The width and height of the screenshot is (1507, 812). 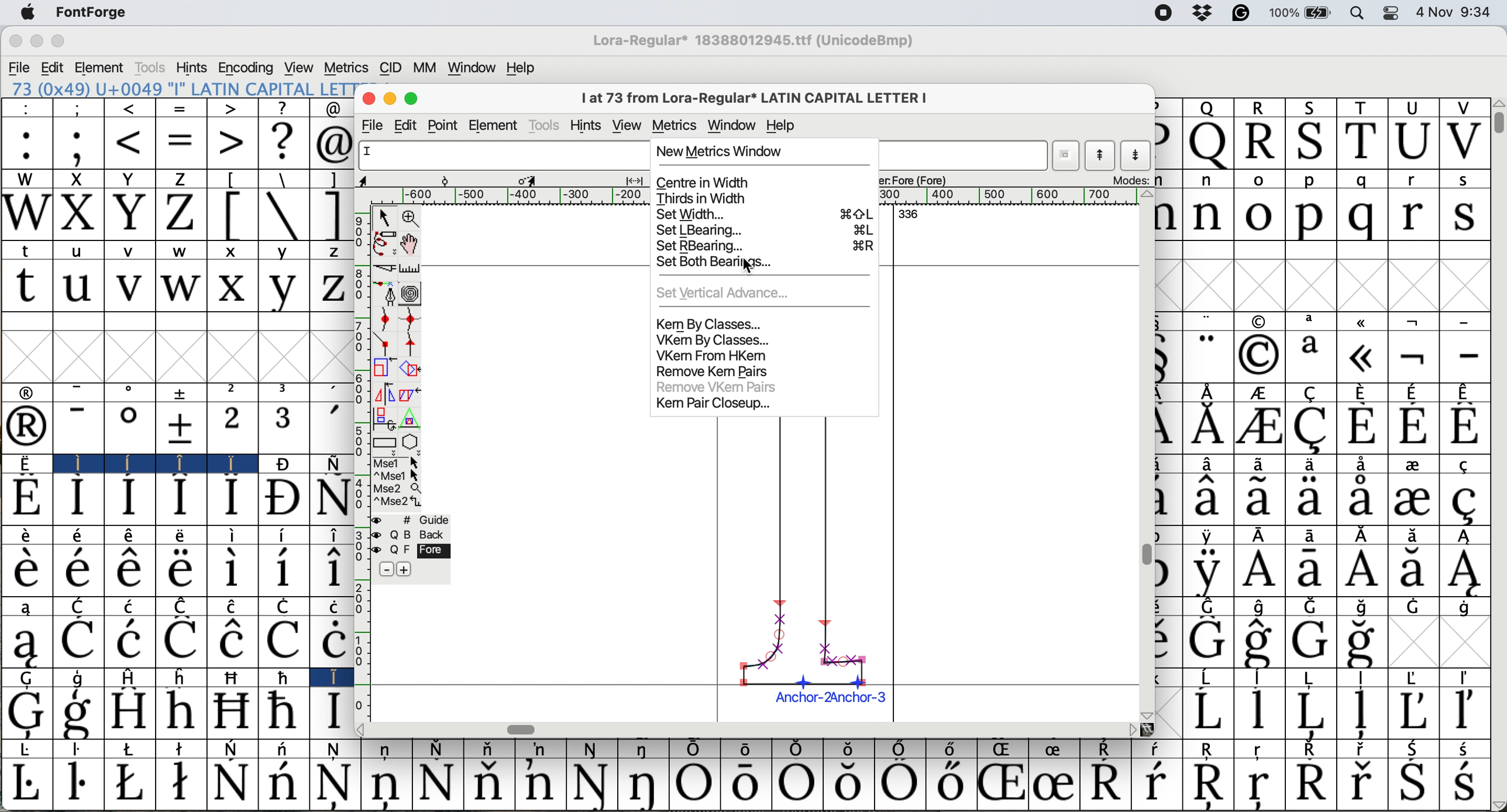 What do you see at coordinates (1414, 391) in the screenshot?
I see `Symbol` at bounding box center [1414, 391].